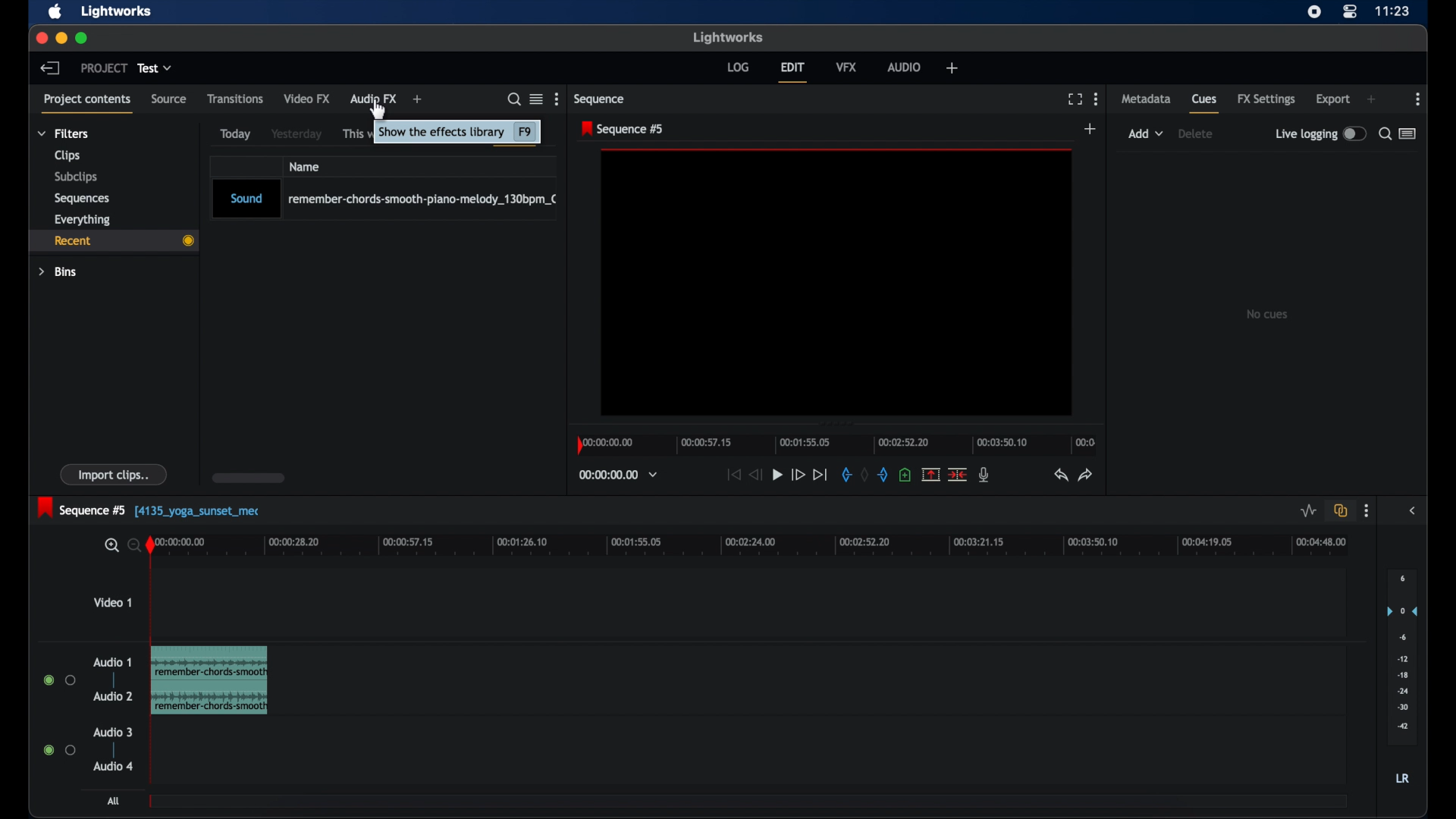  I want to click on vfx, so click(846, 67).